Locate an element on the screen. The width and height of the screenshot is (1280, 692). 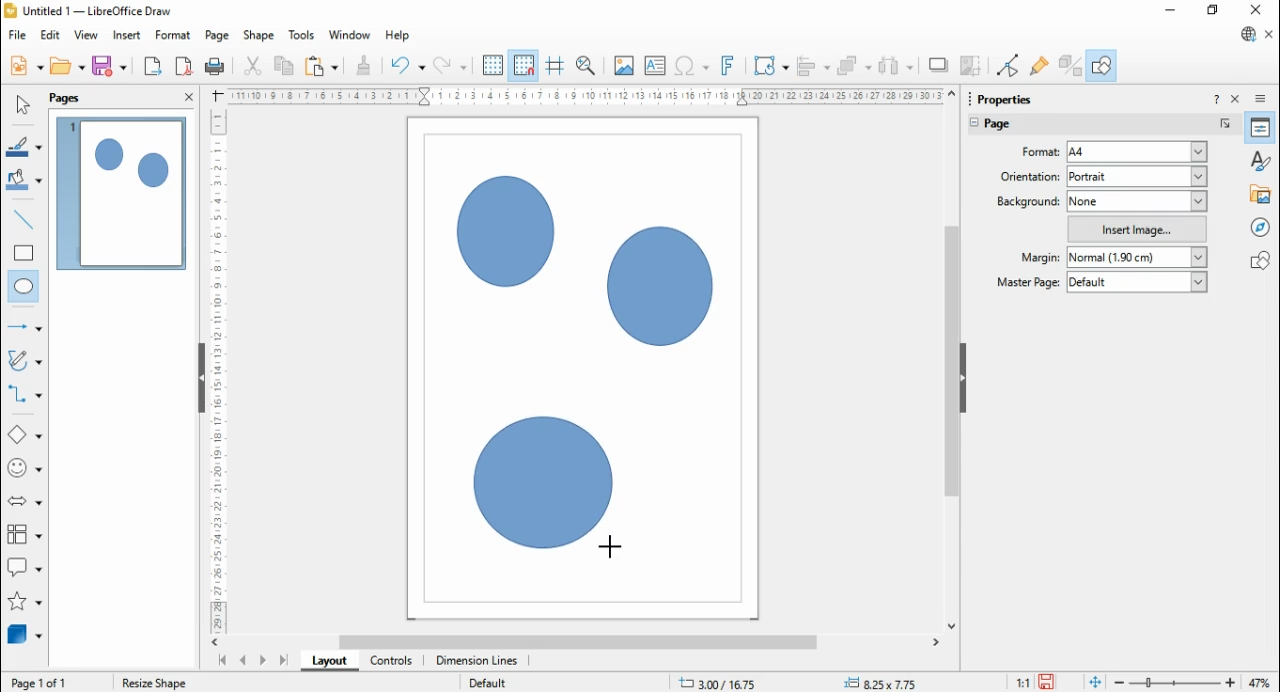
print is located at coordinates (214, 66).